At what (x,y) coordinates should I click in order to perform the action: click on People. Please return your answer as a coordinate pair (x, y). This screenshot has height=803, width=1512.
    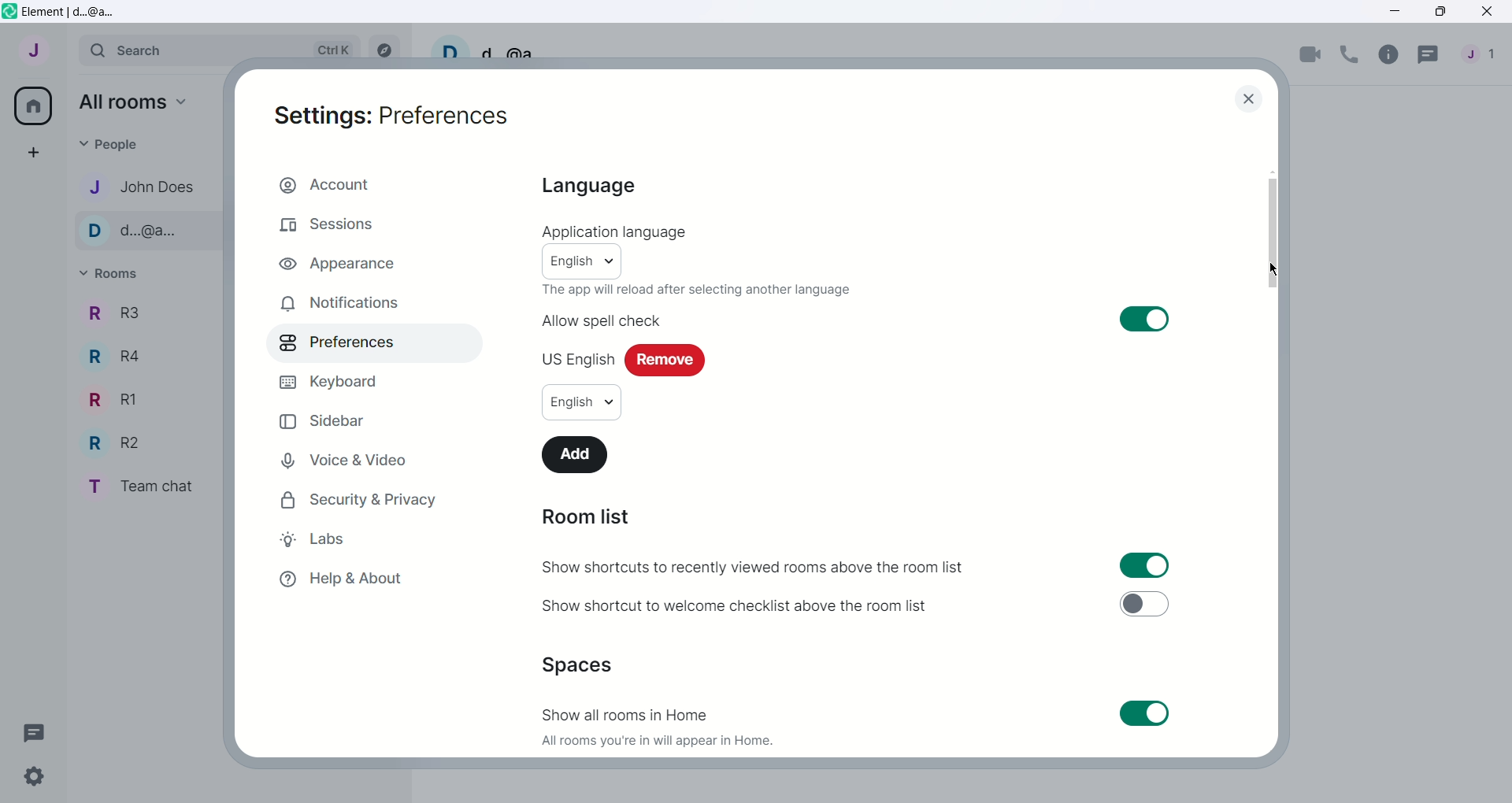
    Looking at the image, I should click on (1484, 56).